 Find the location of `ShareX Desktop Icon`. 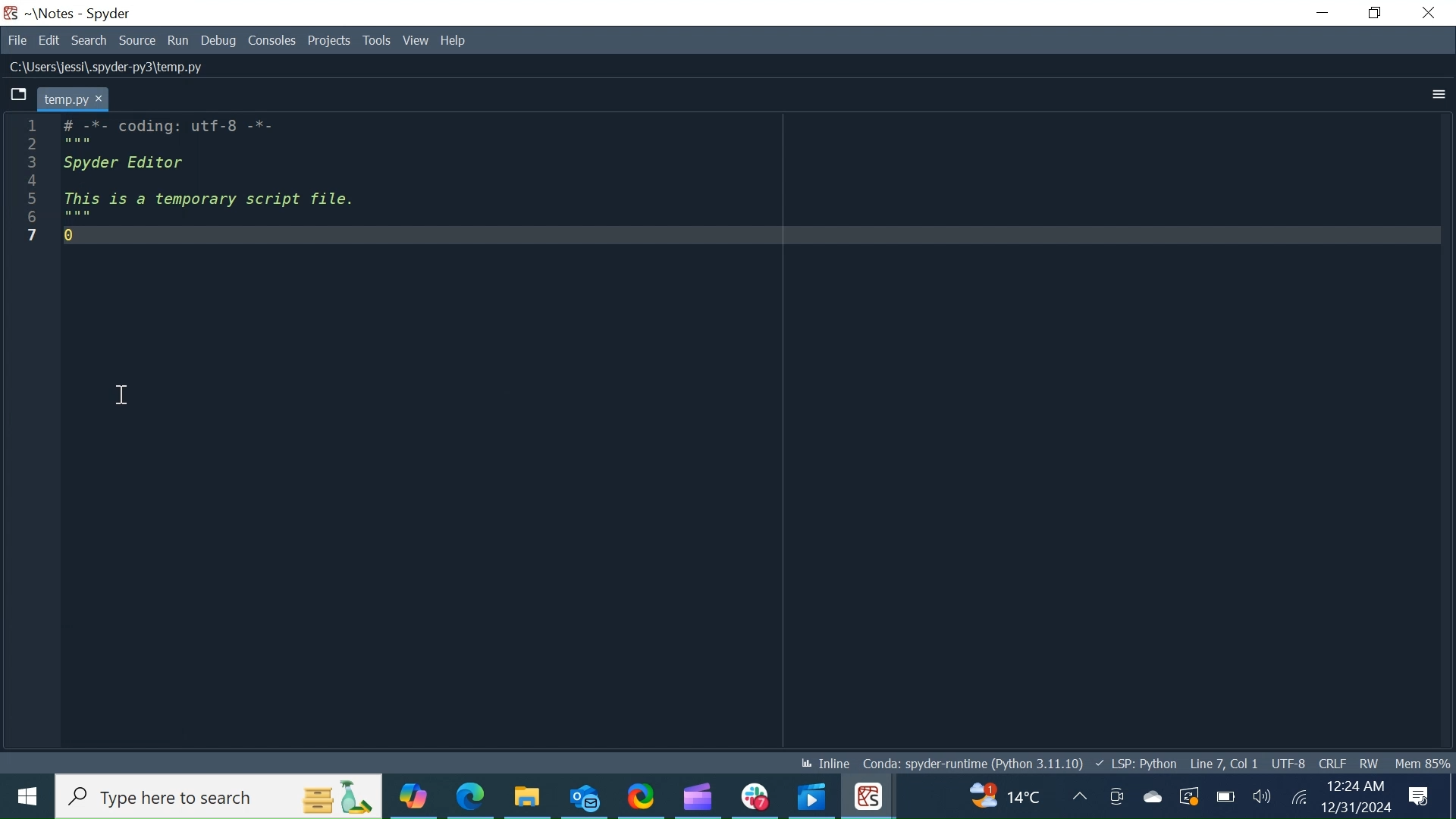

ShareX Desktop Icon is located at coordinates (643, 795).